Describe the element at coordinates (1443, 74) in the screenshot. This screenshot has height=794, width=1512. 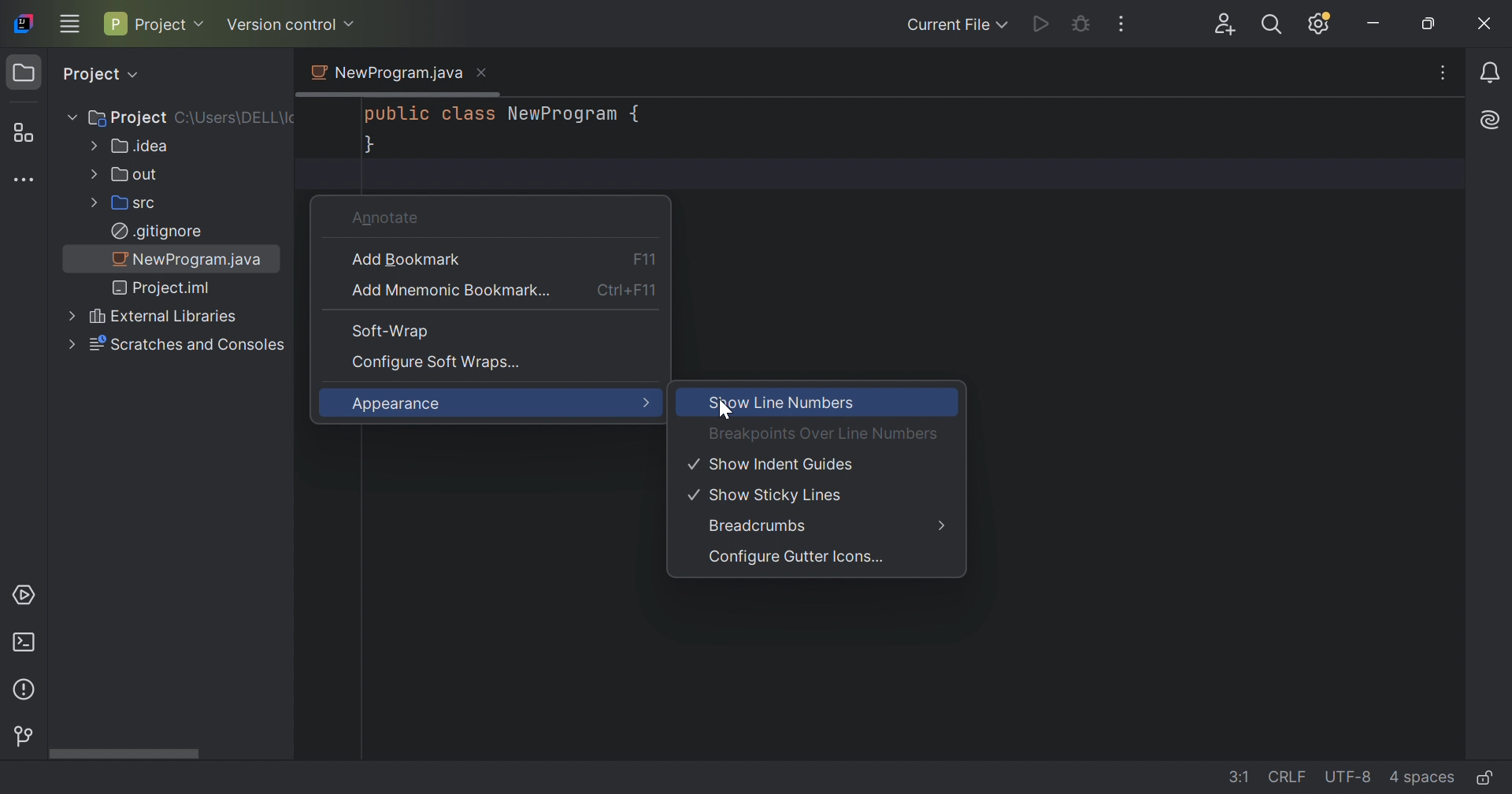
I see `` at that location.